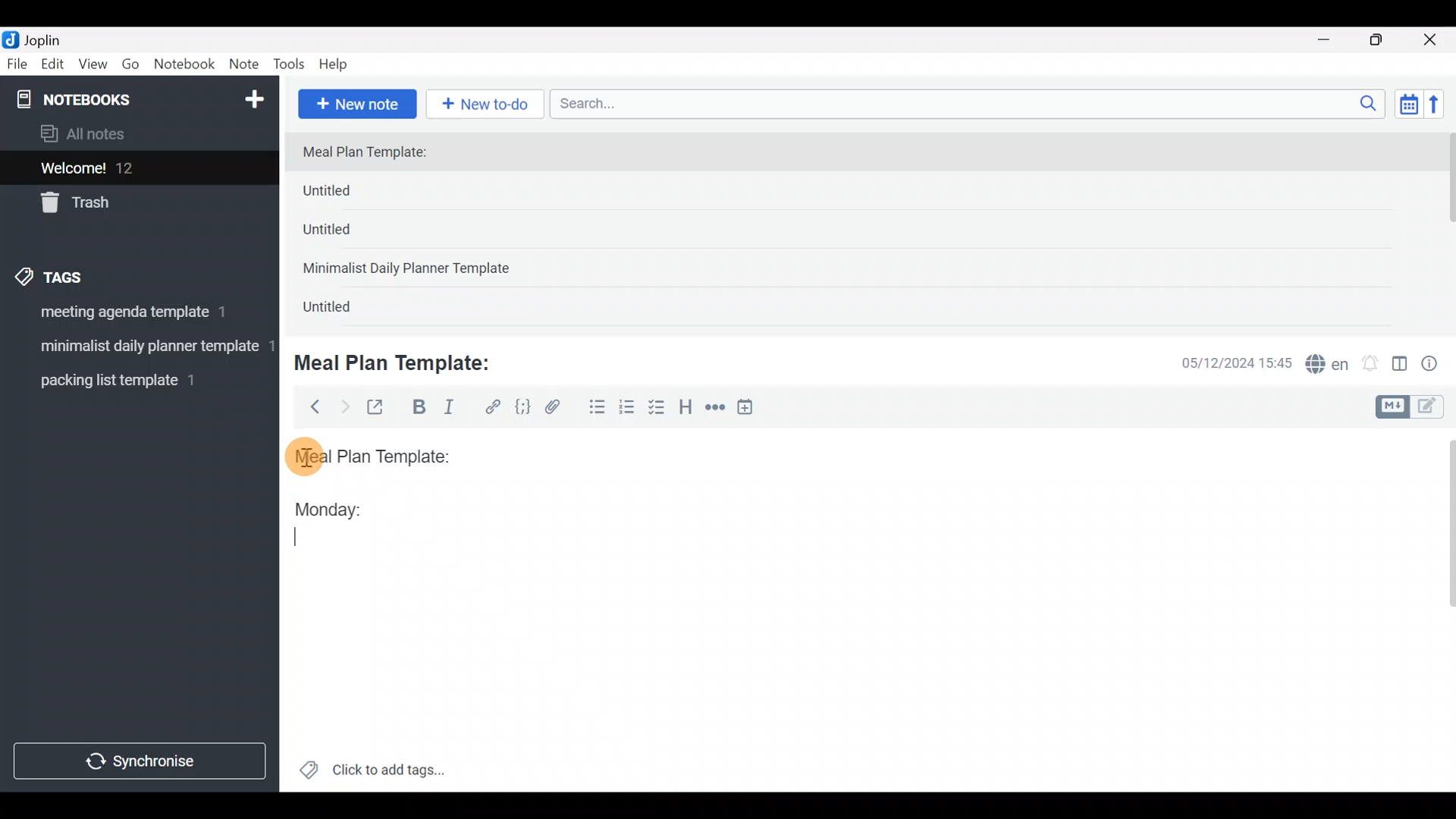 This screenshot has height=819, width=1456. What do you see at coordinates (1371, 365) in the screenshot?
I see `Set alarm` at bounding box center [1371, 365].